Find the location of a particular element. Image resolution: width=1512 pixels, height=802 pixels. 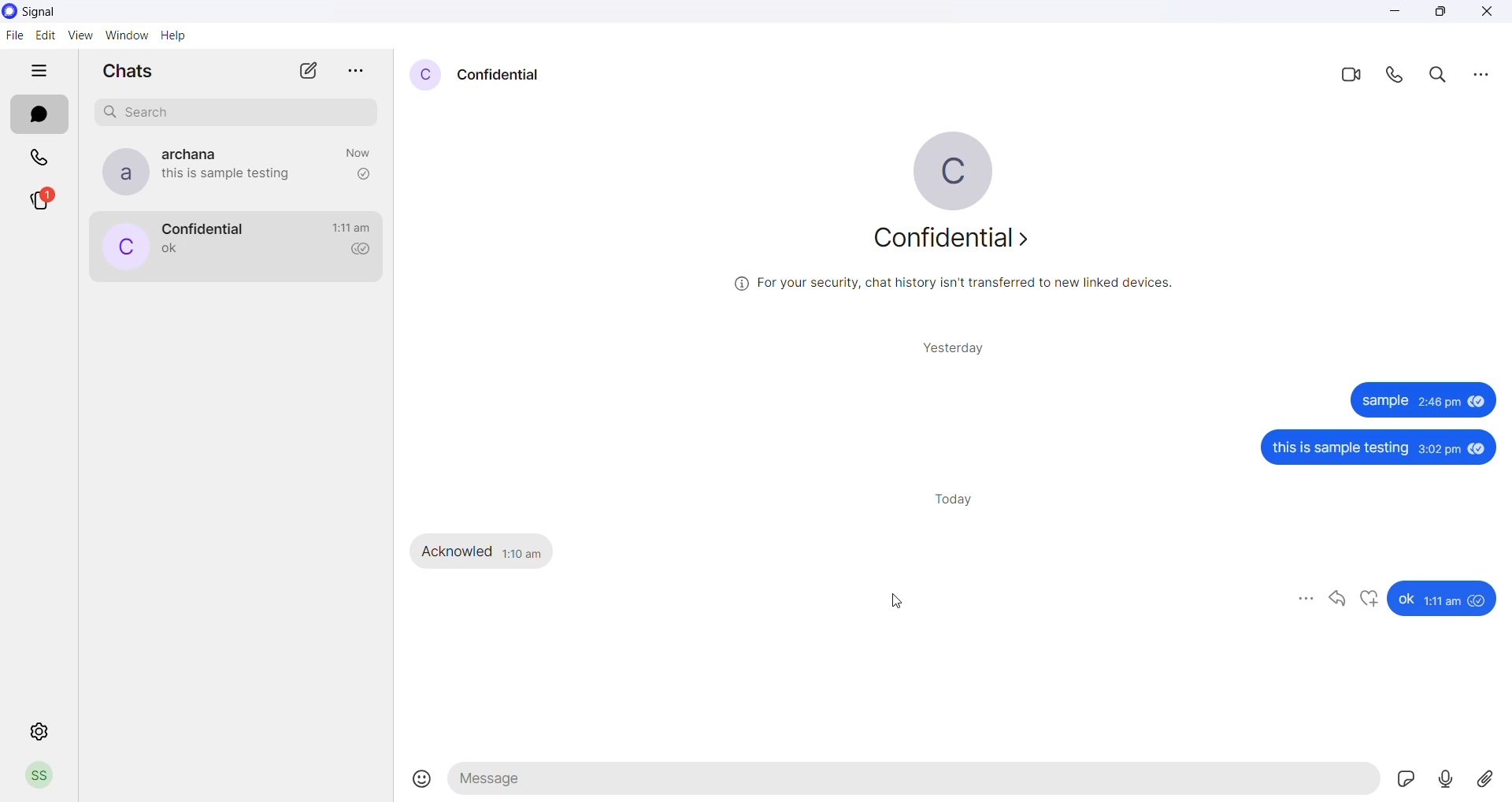

this is sample testing is located at coordinates (1343, 450).